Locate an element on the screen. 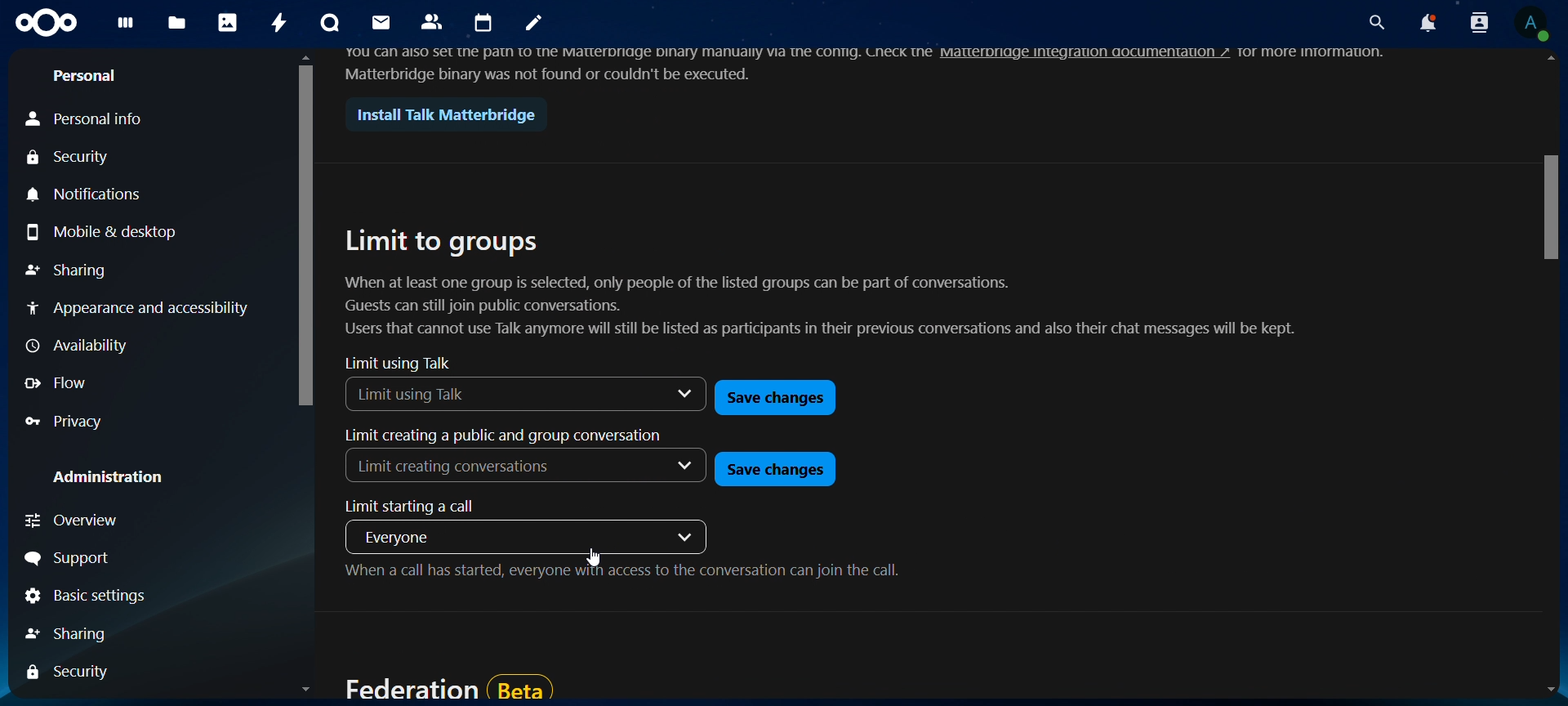 The image size is (1568, 706). everyone is located at coordinates (529, 541).